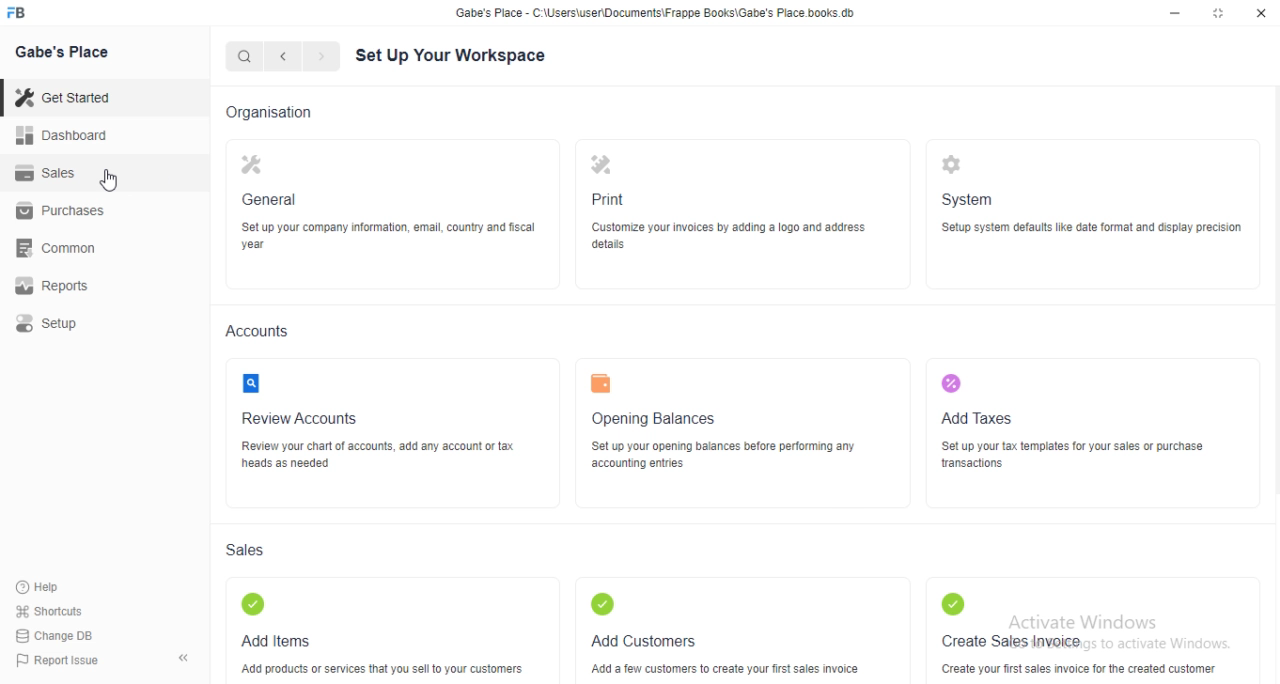 The image size is (1280, 684). What do you see at coordinates (63, 98) in the screenshot?
I see `get started` at bounding box center [63, 98].